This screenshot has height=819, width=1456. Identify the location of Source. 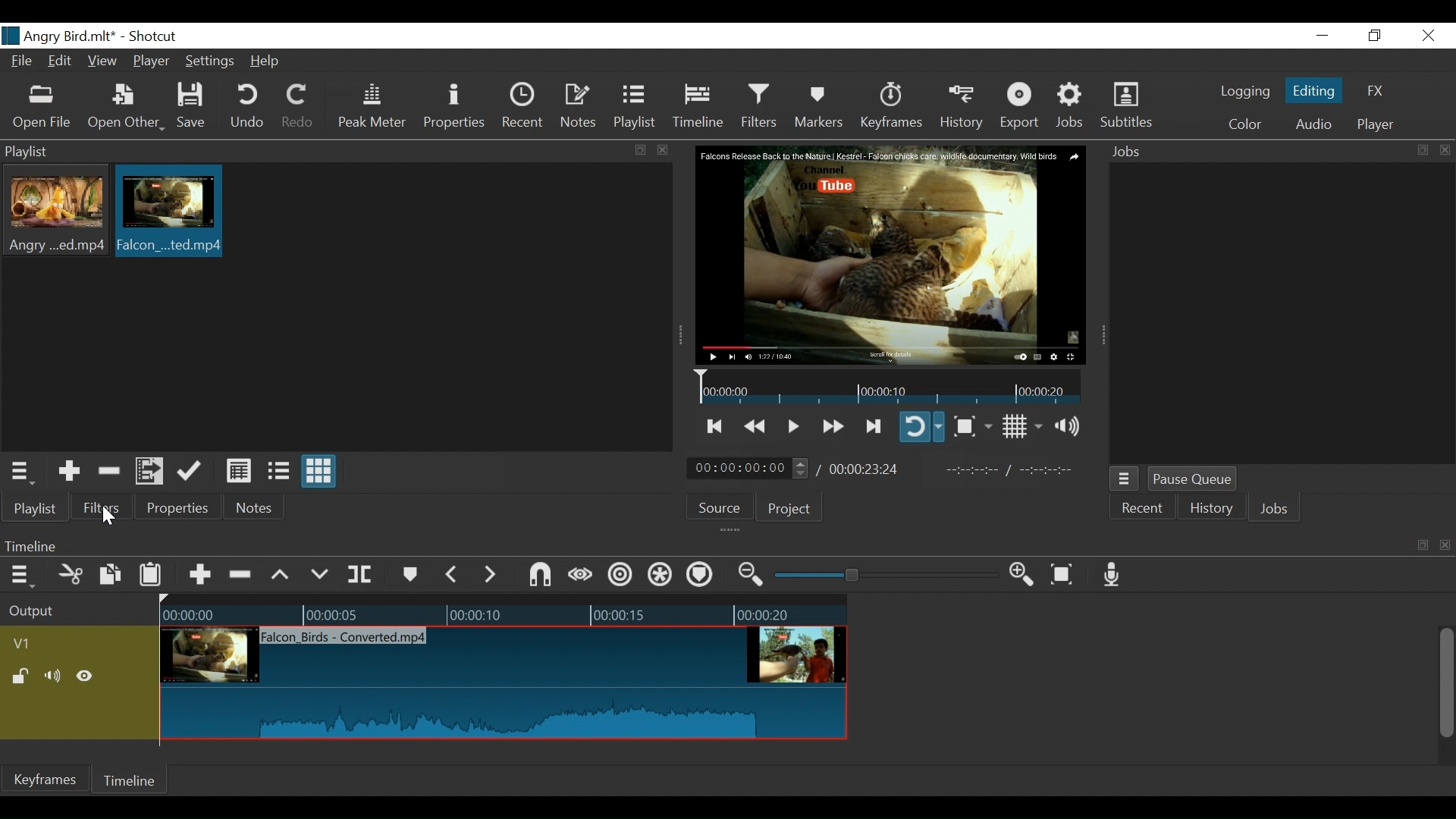
(725, 506).